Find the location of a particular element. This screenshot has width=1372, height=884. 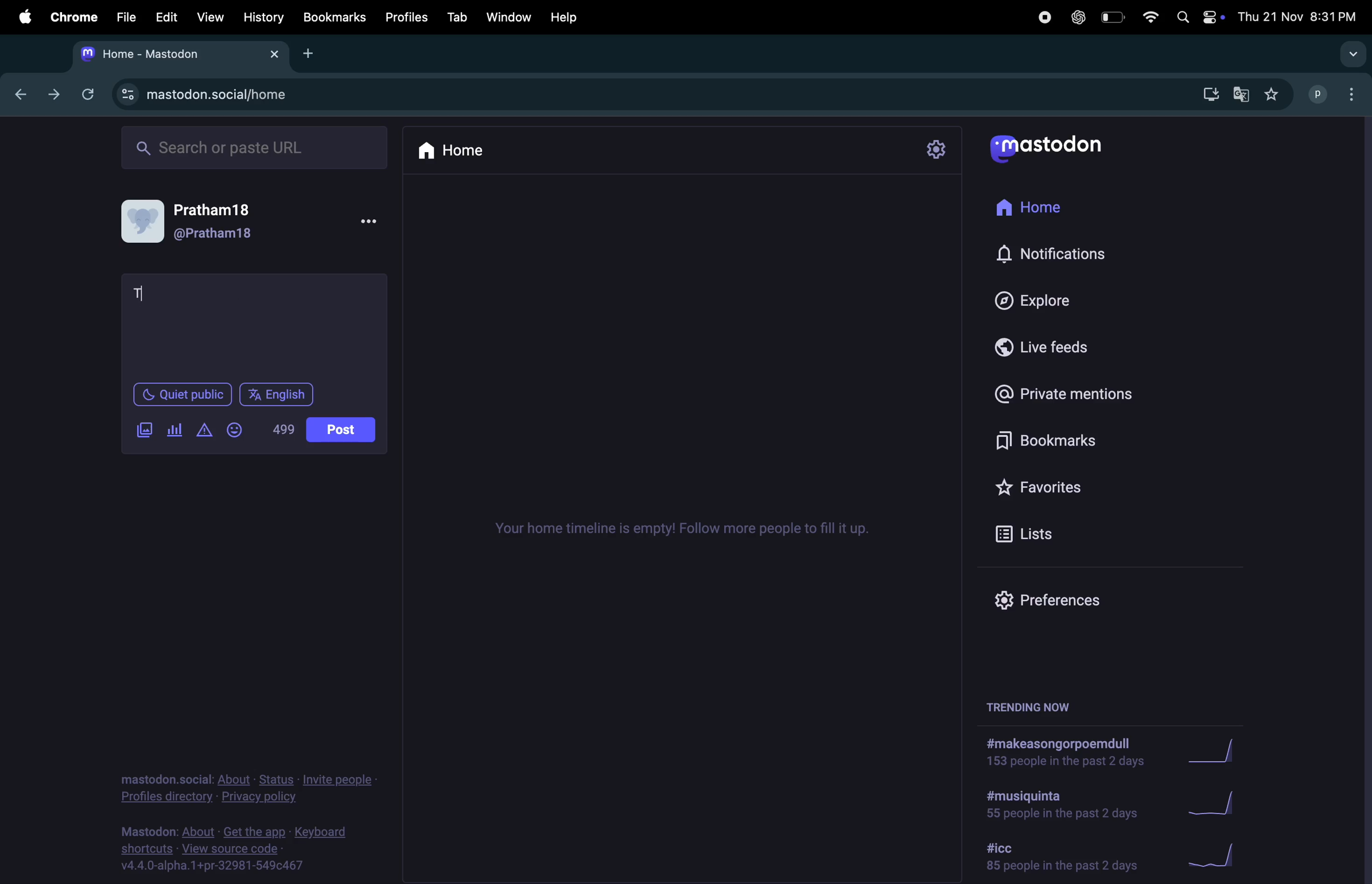

search tabs is located at coordinates (1352, 54).